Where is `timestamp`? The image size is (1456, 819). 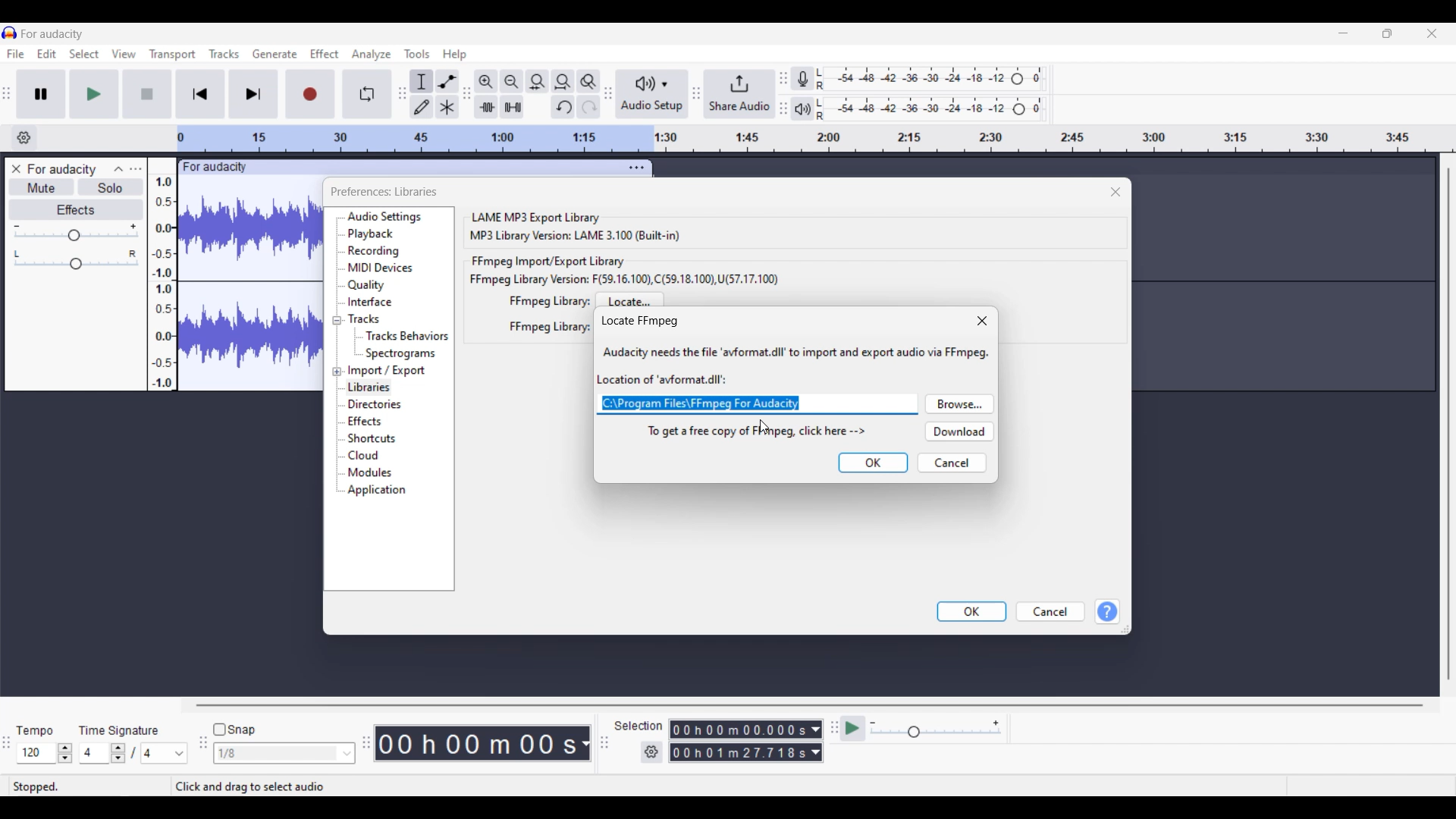 timestamp is located at coordinates (482, 743).